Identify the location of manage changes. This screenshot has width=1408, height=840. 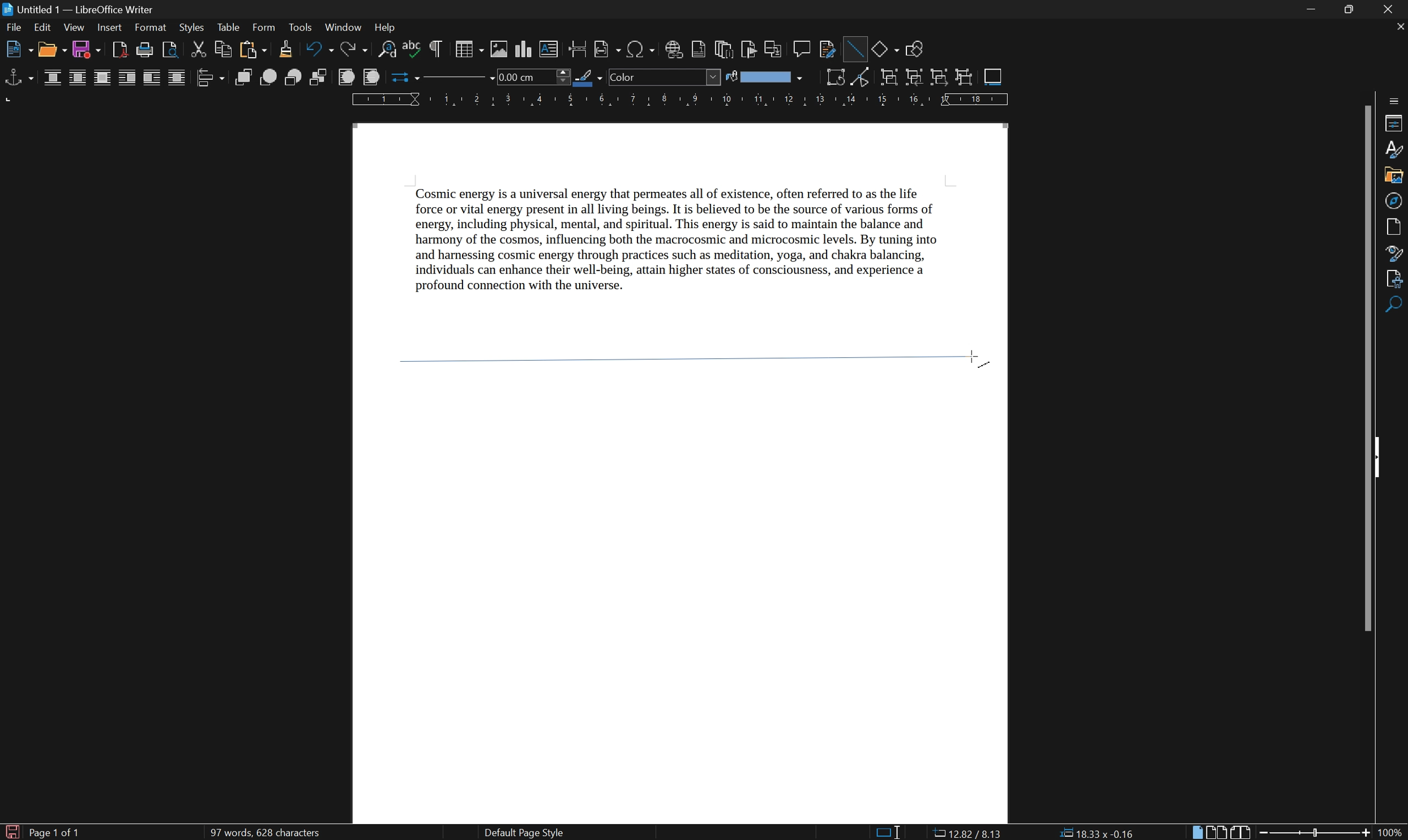
(1397, 279).